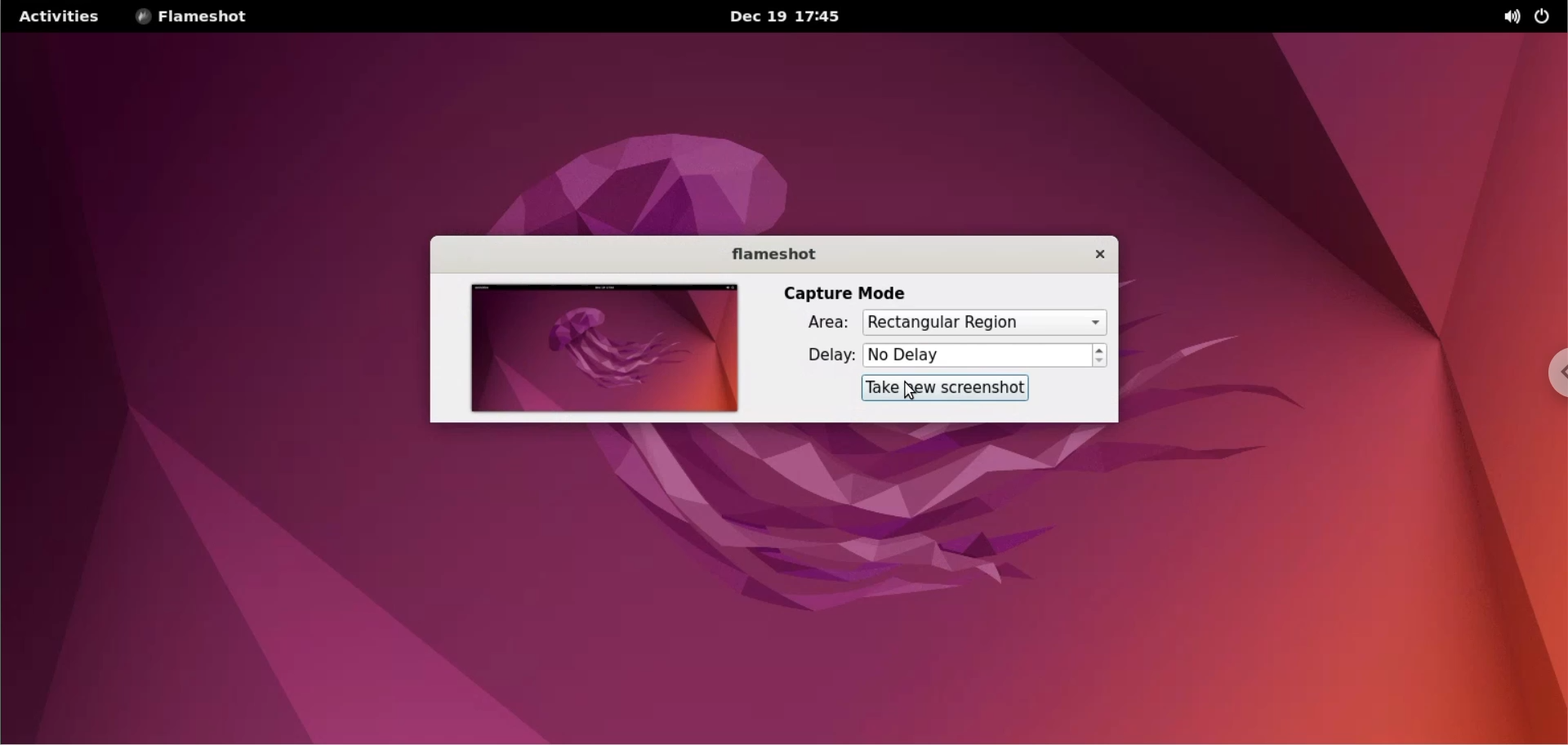 This screenshot has width=1568, height=745. I want to click on close, so click(1099, 254).